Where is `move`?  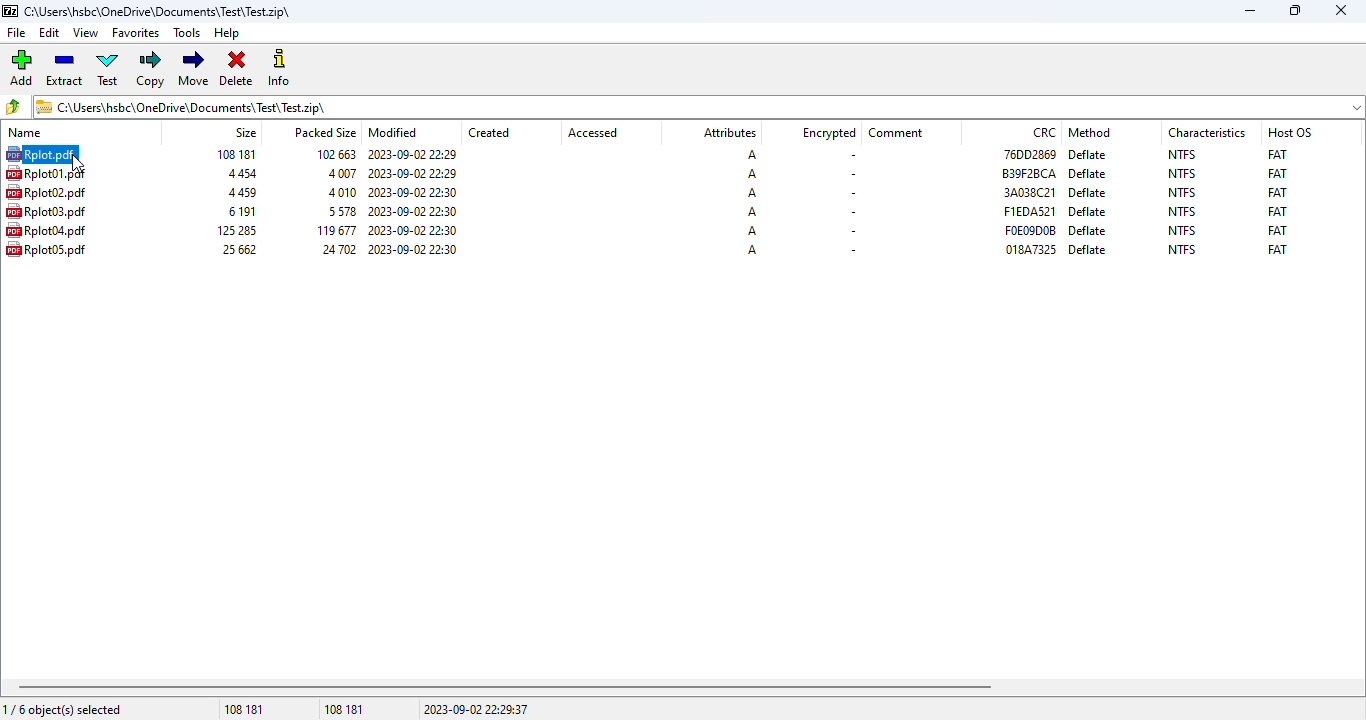
move is located at coordinates (193, 68).